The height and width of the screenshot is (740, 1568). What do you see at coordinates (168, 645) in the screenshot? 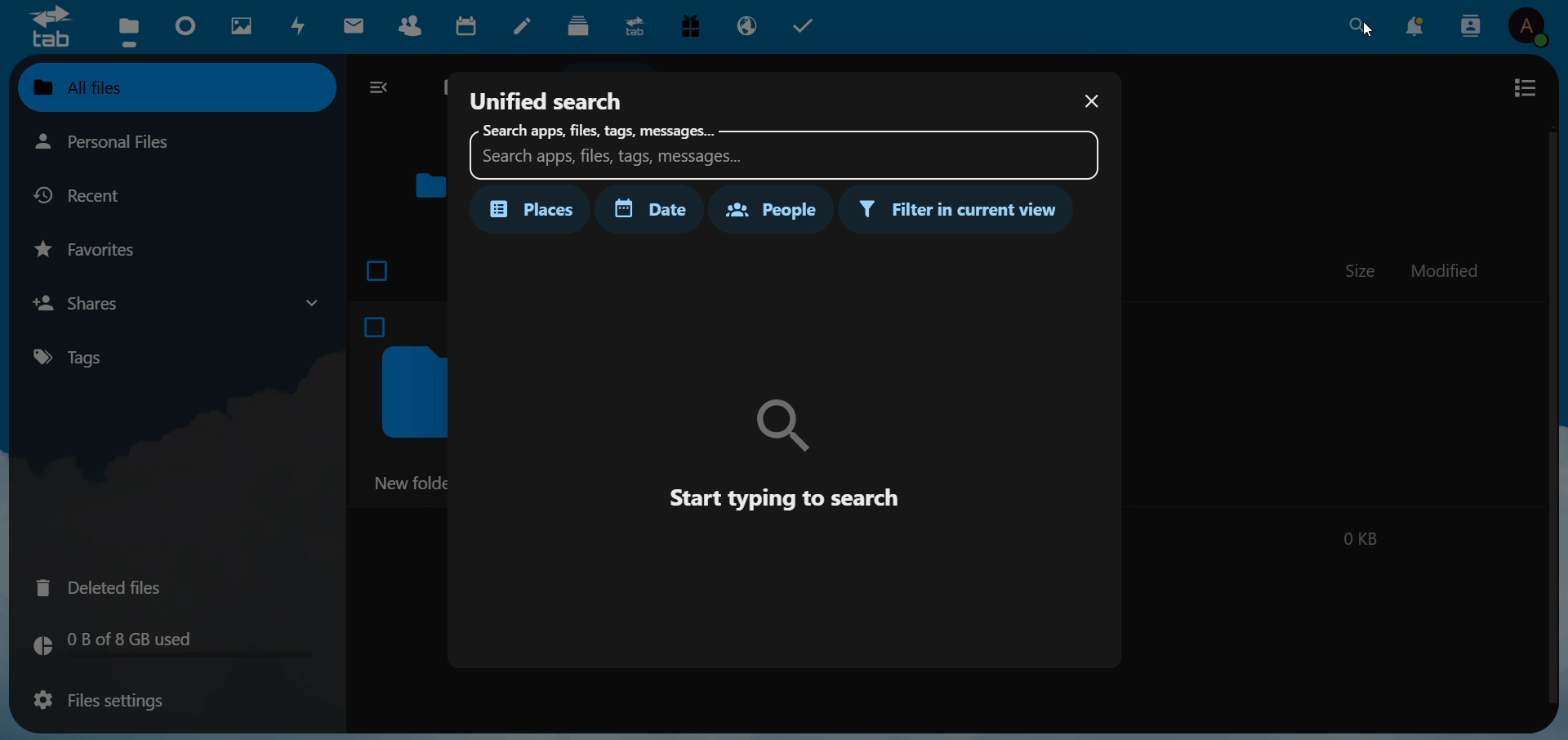
I see `memory used` at bounding box center [168, 645].